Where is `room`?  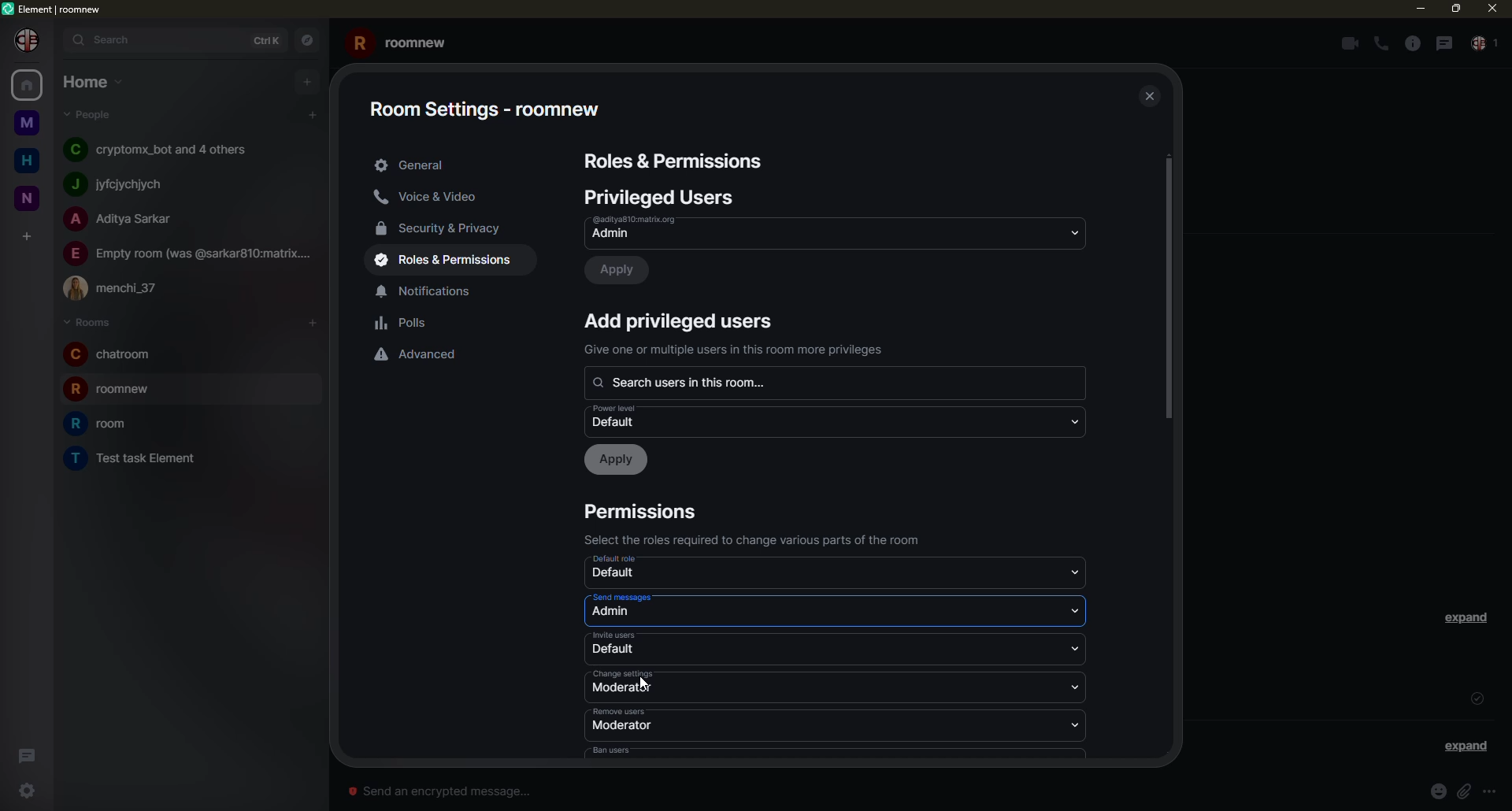
room is located at coordinates (112, 354).